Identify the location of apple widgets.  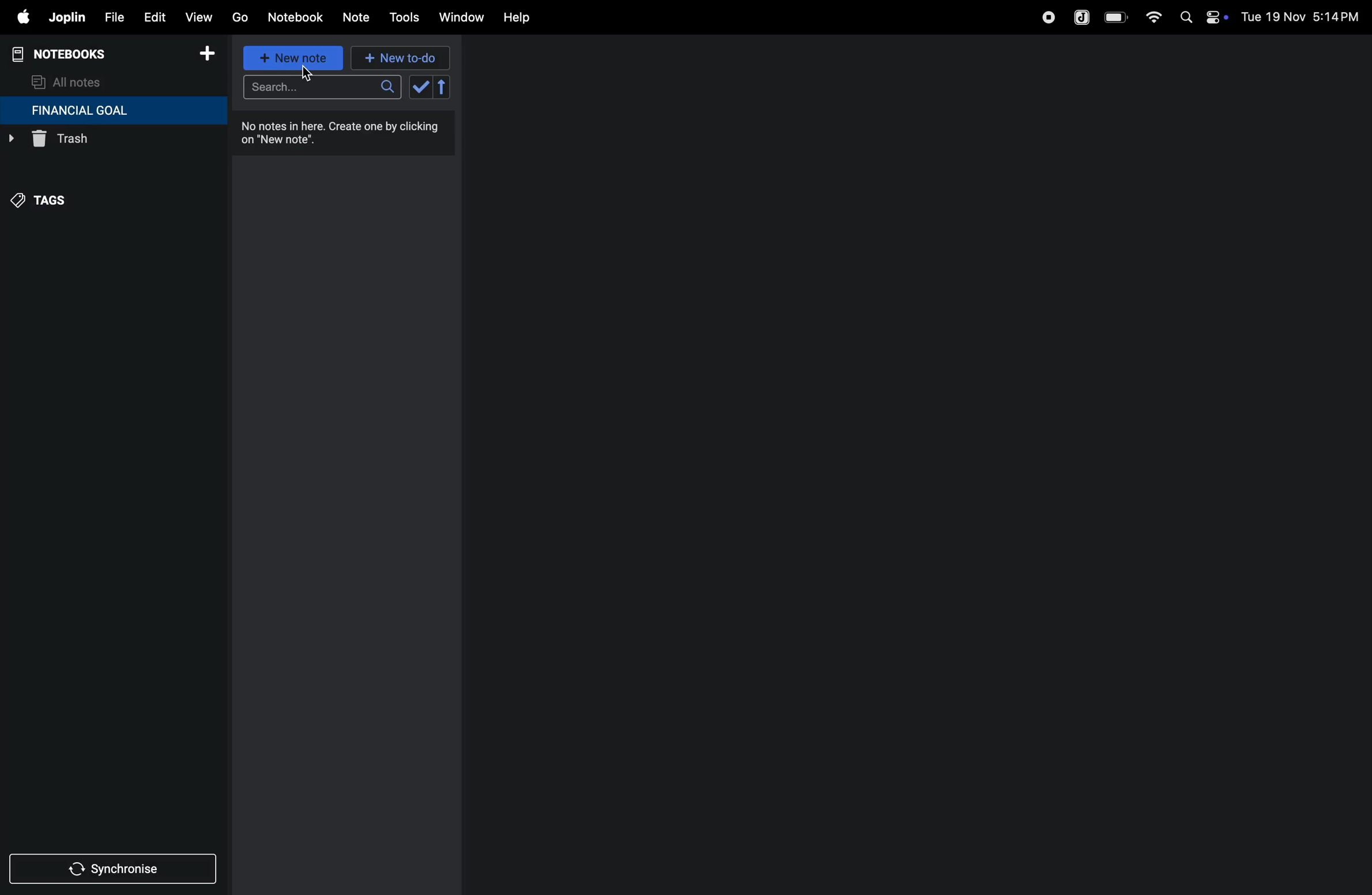
(1201, 16).